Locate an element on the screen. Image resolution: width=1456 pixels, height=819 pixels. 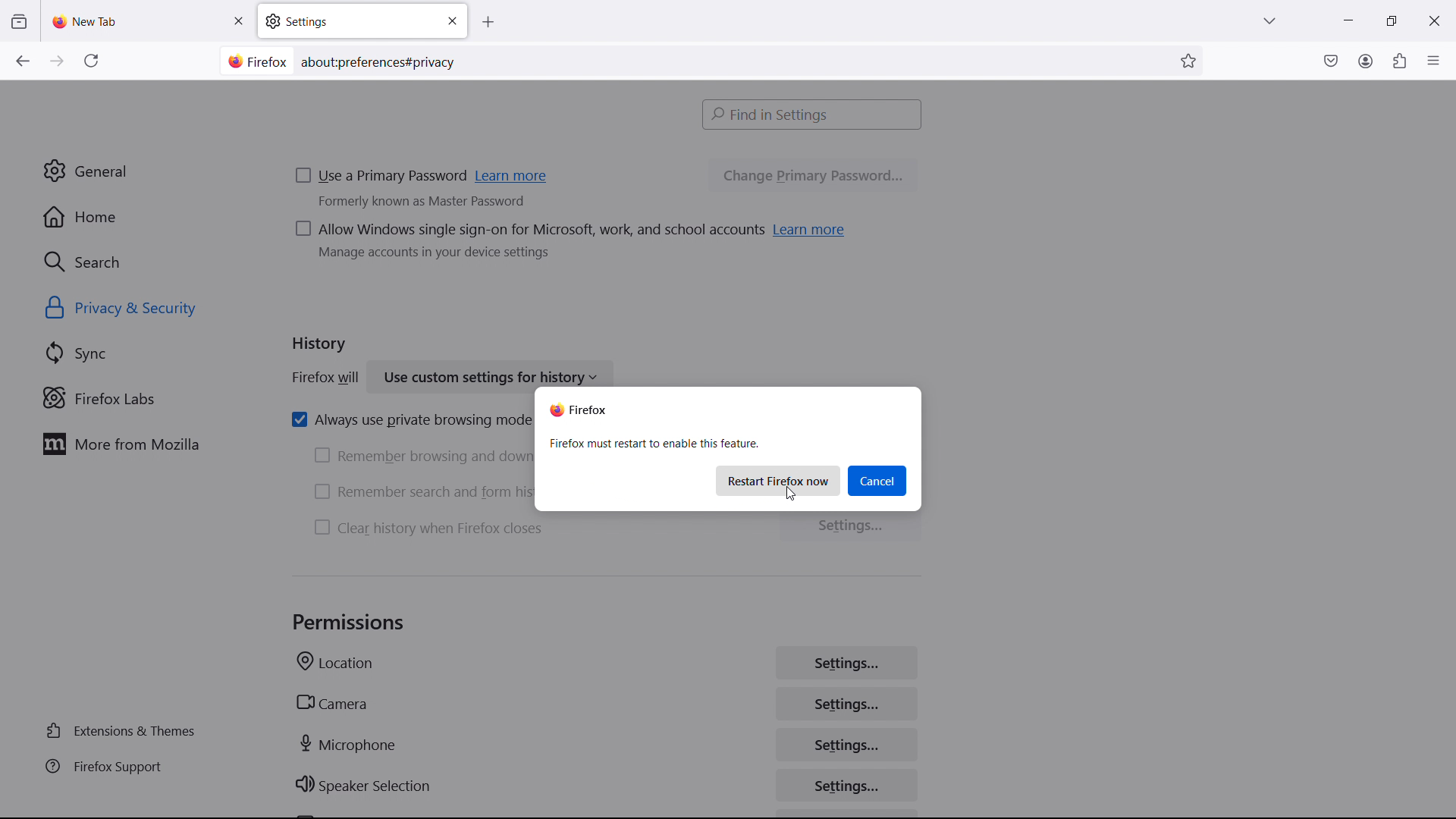
save to pocket is located at coordinates (1331, 60).